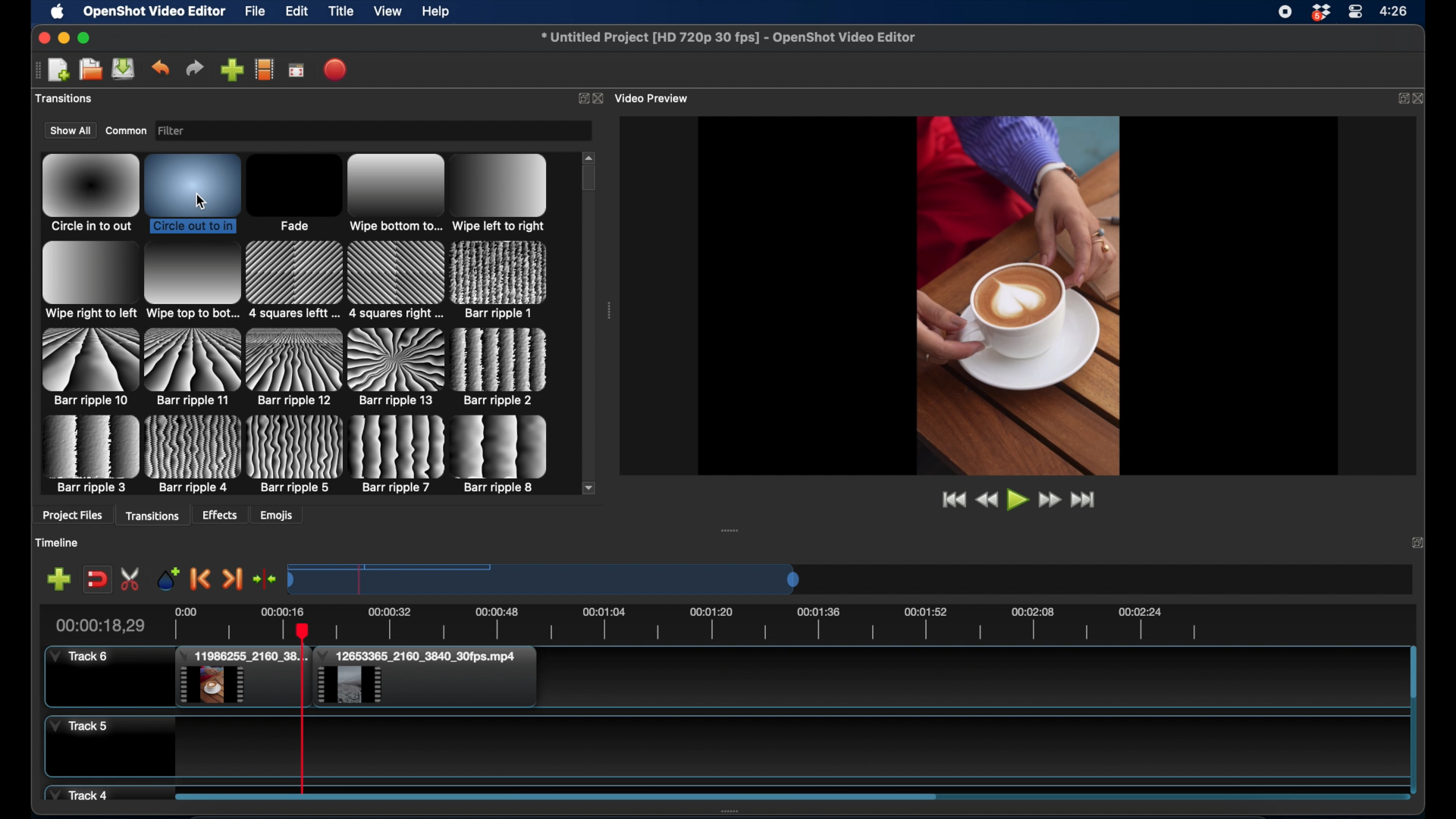 This screenshot has width=1456, height=819. Describe the element at coordinates (293, 193) in the screenshot. I see `transition` at that location.